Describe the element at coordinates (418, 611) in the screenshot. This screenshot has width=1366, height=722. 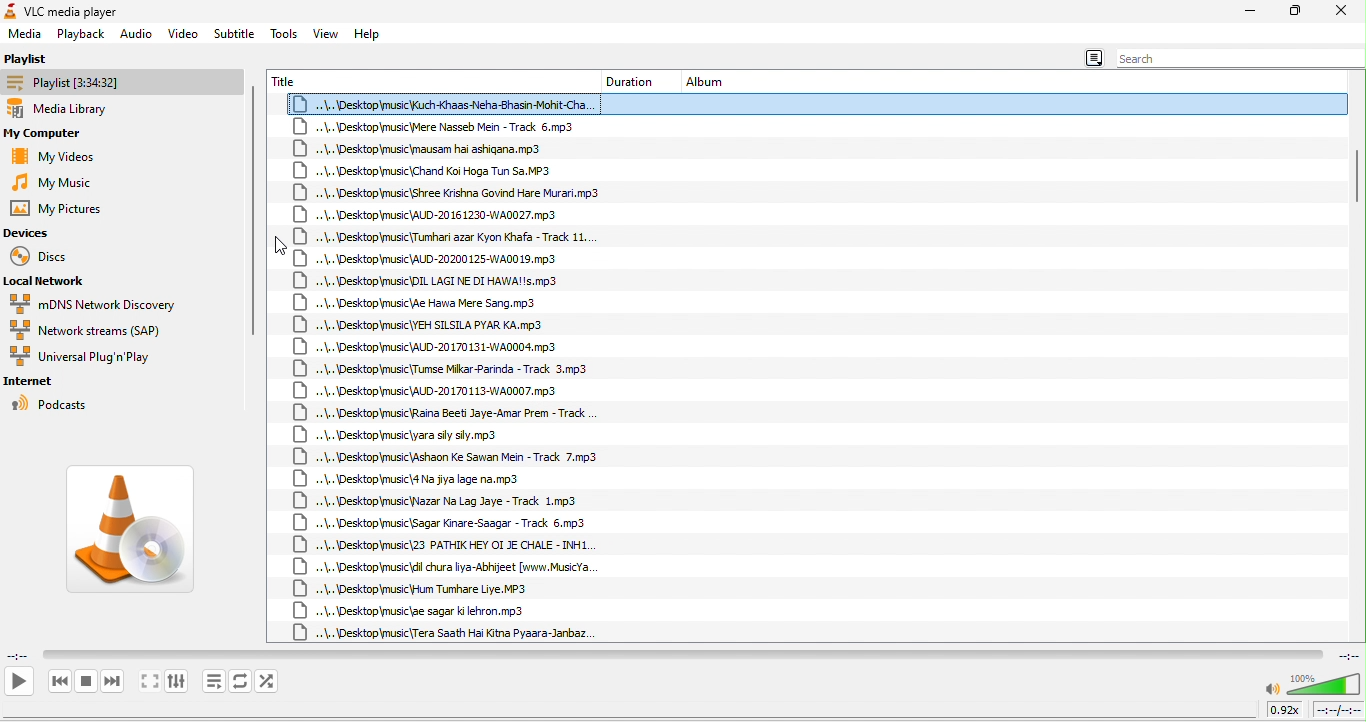
I see `..\..\Desktop\music\ae sagar ki lehron.mp3` at that location.